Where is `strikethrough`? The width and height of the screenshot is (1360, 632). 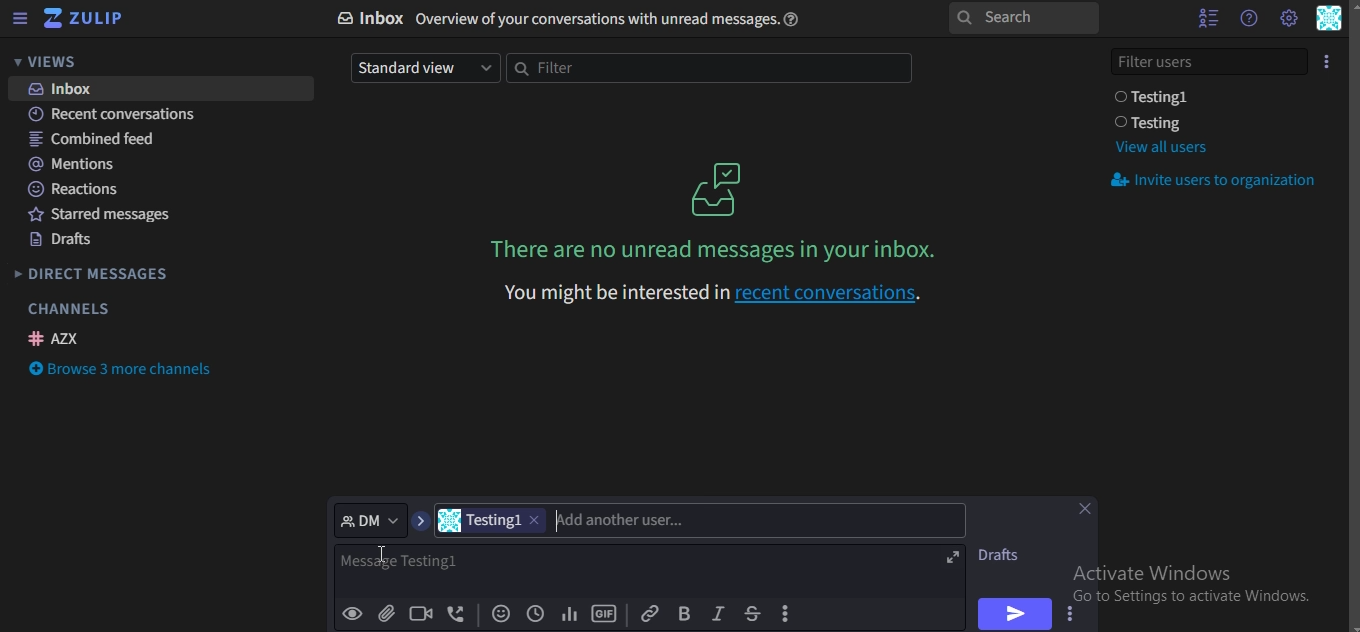 strikethrough is located at coordinates (751, 613).